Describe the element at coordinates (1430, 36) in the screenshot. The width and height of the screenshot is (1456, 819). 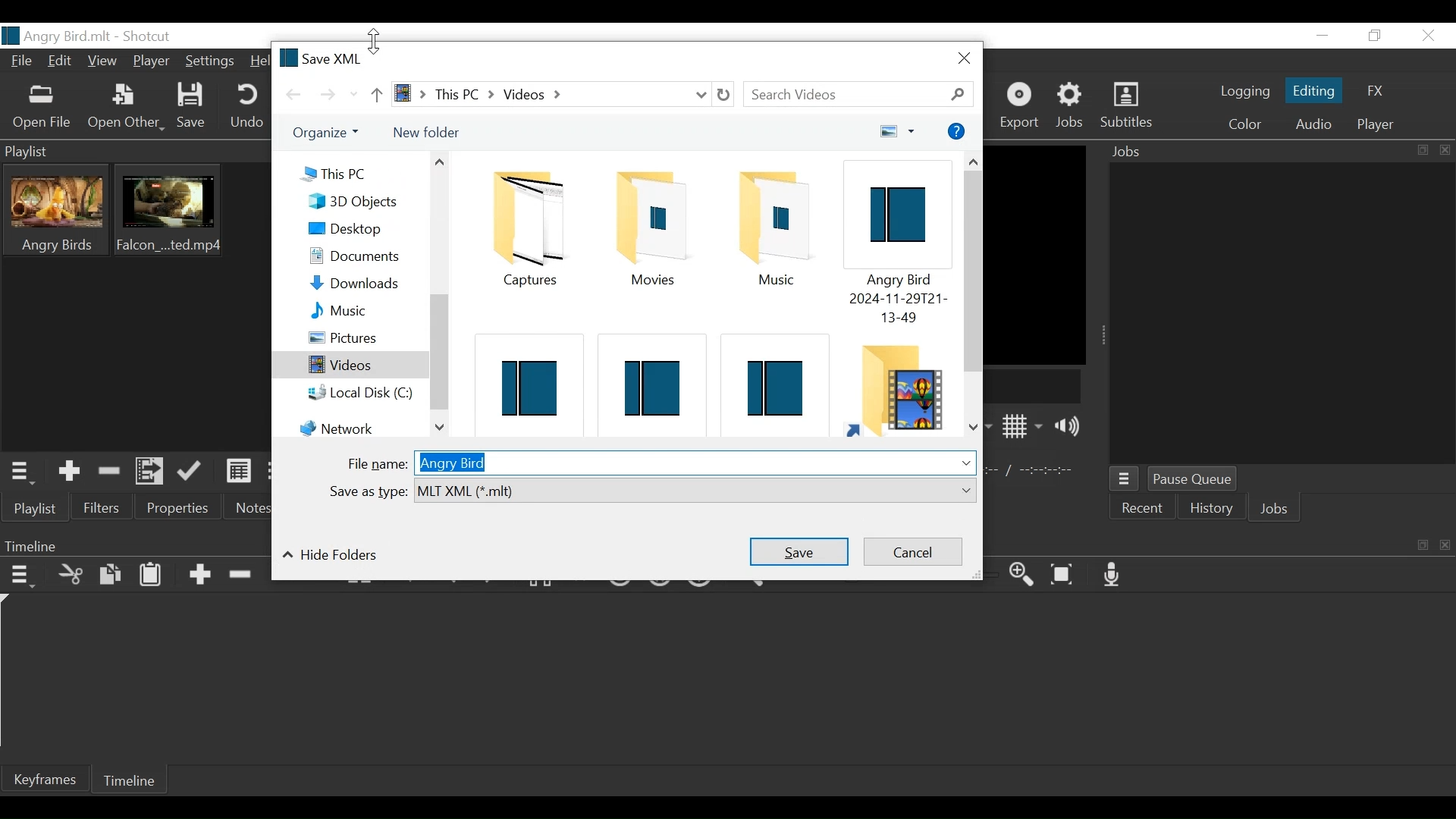
I see `Close` at that location.